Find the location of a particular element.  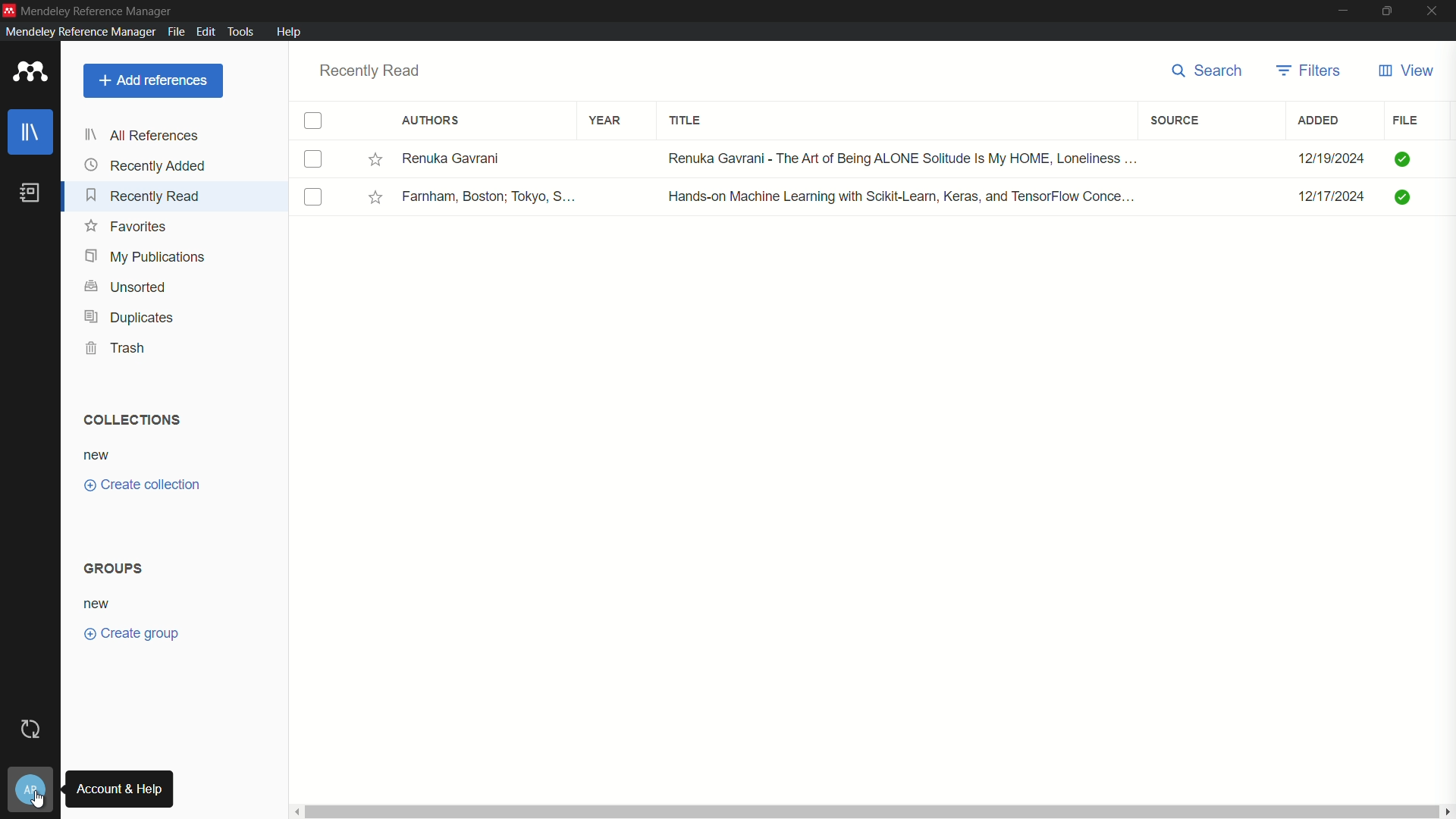

Toggle favorites is located at coordinates (375, 158).